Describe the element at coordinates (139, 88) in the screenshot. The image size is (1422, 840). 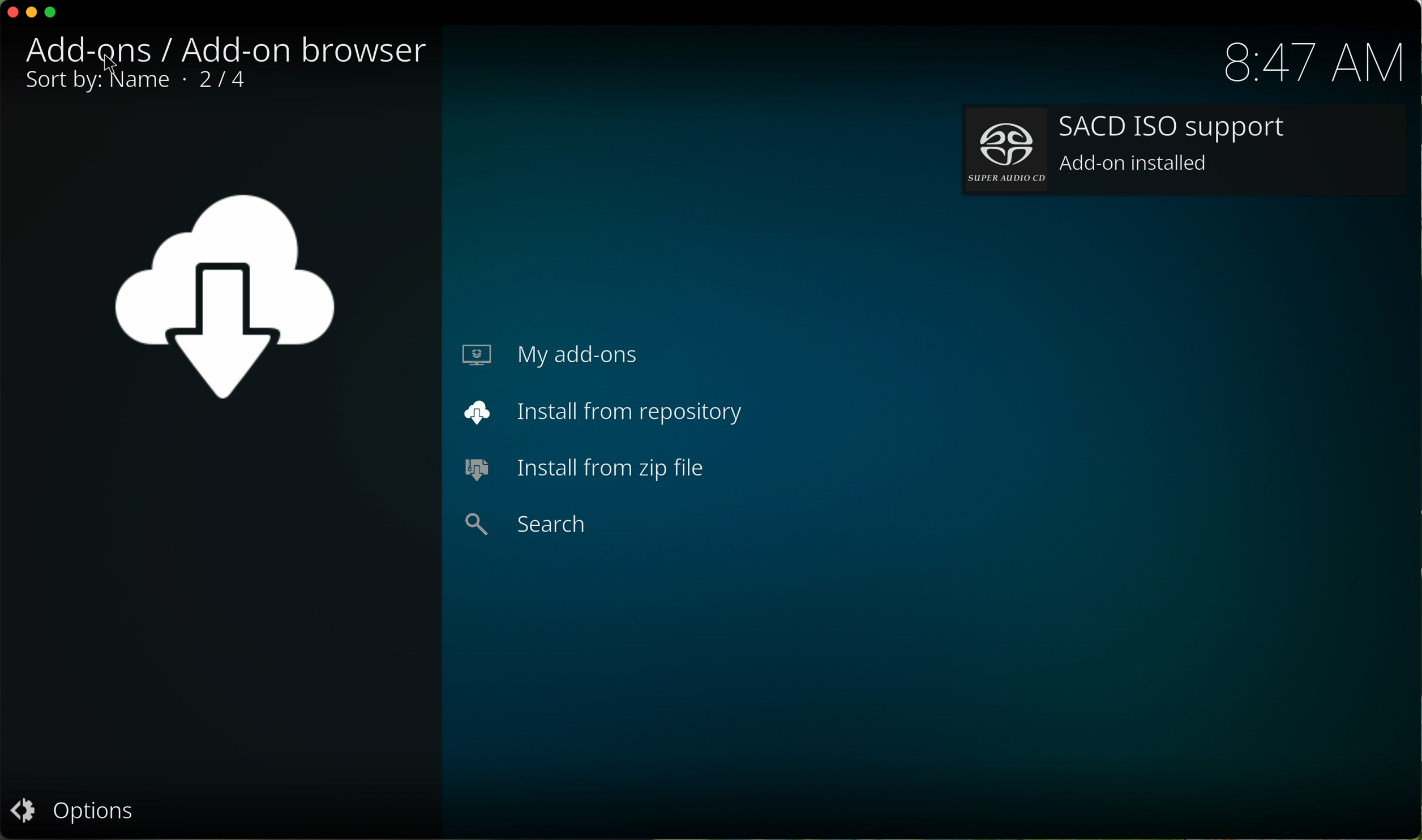
I see `0/1` at that location.